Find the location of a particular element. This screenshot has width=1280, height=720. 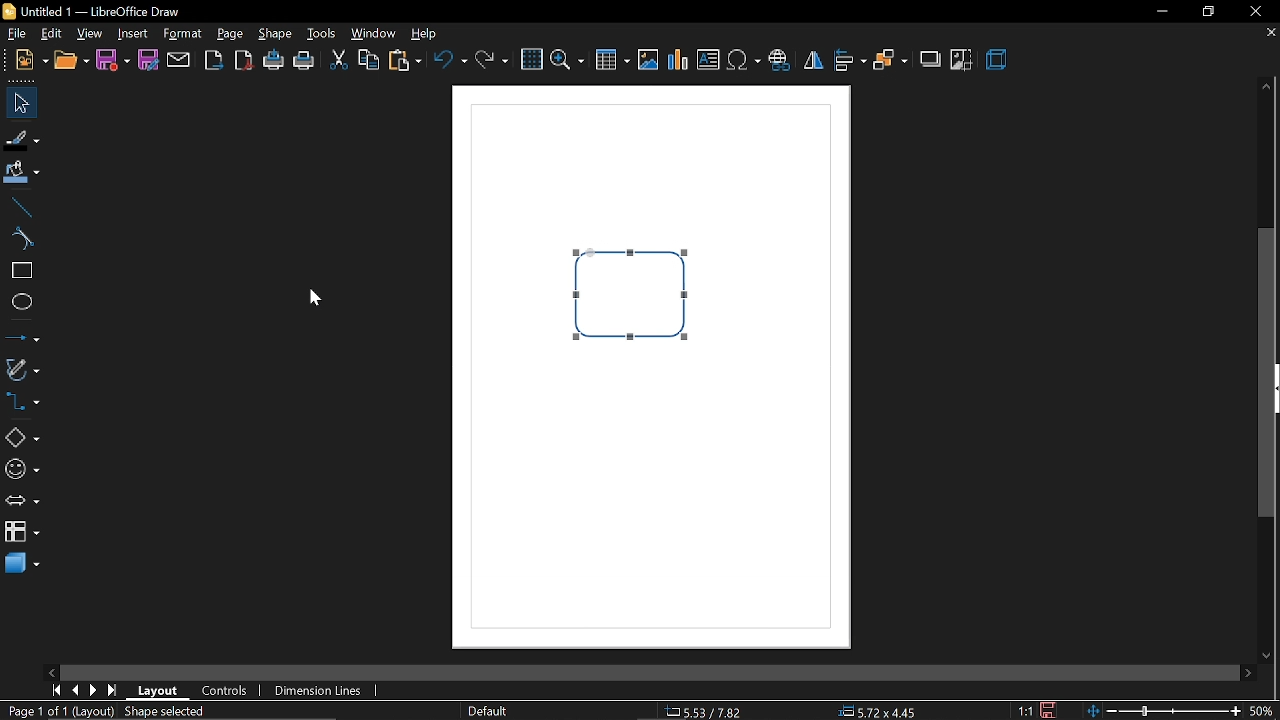

file is located at coordinates (15, 32).